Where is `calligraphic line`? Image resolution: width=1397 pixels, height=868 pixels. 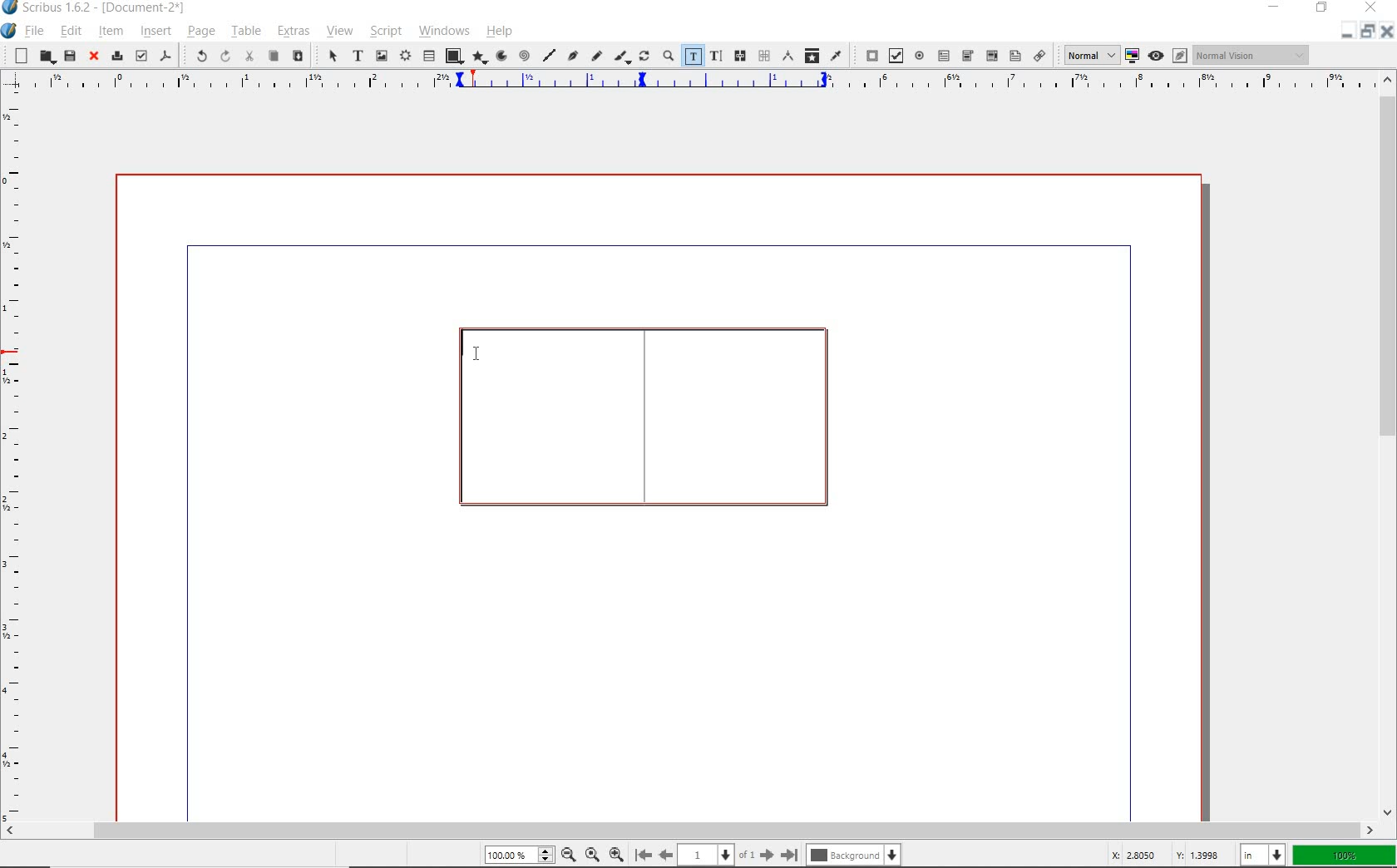
calligraphic line is located at coordinates (620, 56).